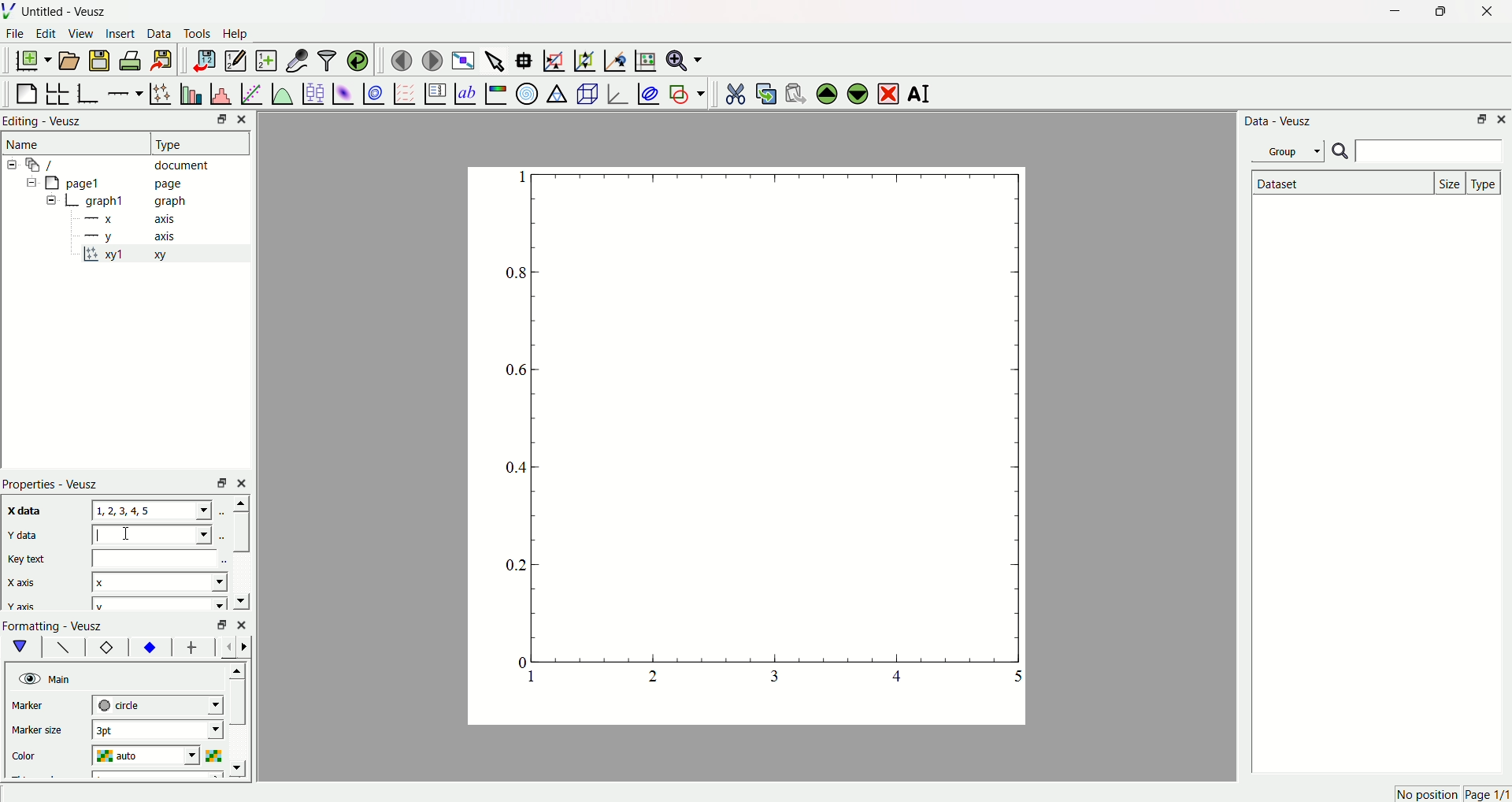  What do you see at coordinates (31, 537) in the screenshot?
I see `Y data` at bounding box center [31, 537].